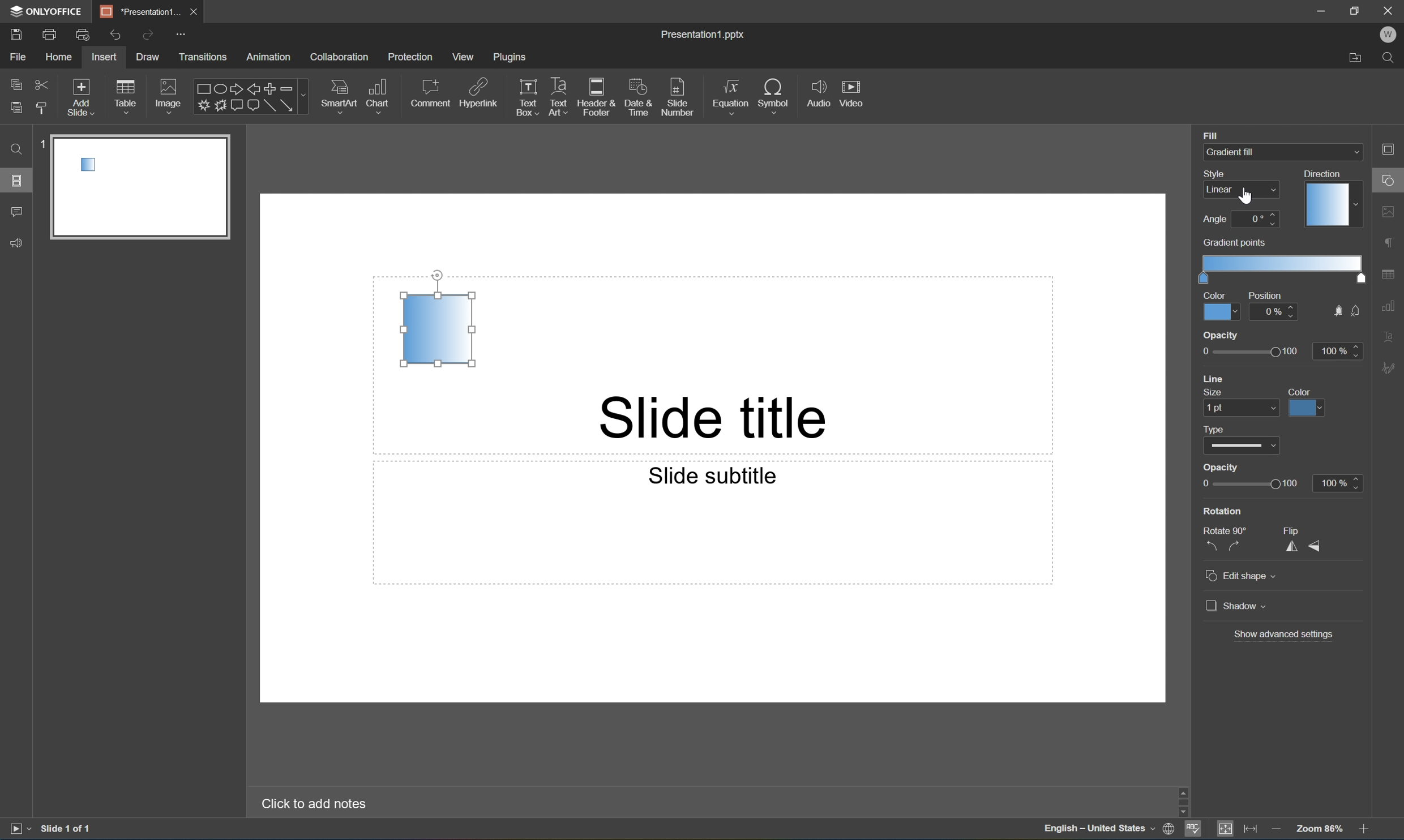 Image resolution: width=1404 pixels, height=840 pixels. What do you see at coordinates (1210, 135) in the screenshot?
I see `Fill` at bounding box center [1210, 135].